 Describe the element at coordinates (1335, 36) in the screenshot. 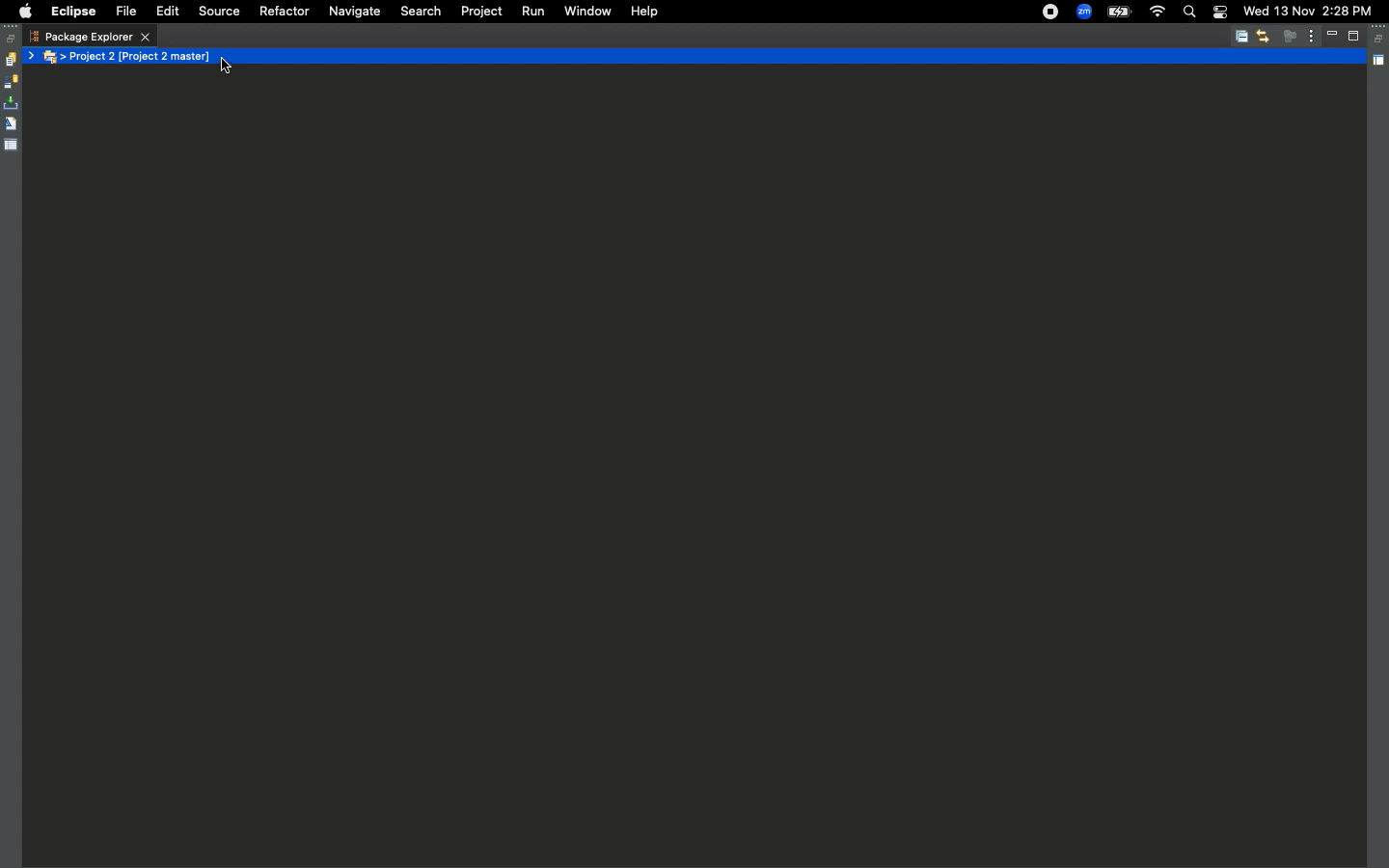

I see `Minimize` at that location.